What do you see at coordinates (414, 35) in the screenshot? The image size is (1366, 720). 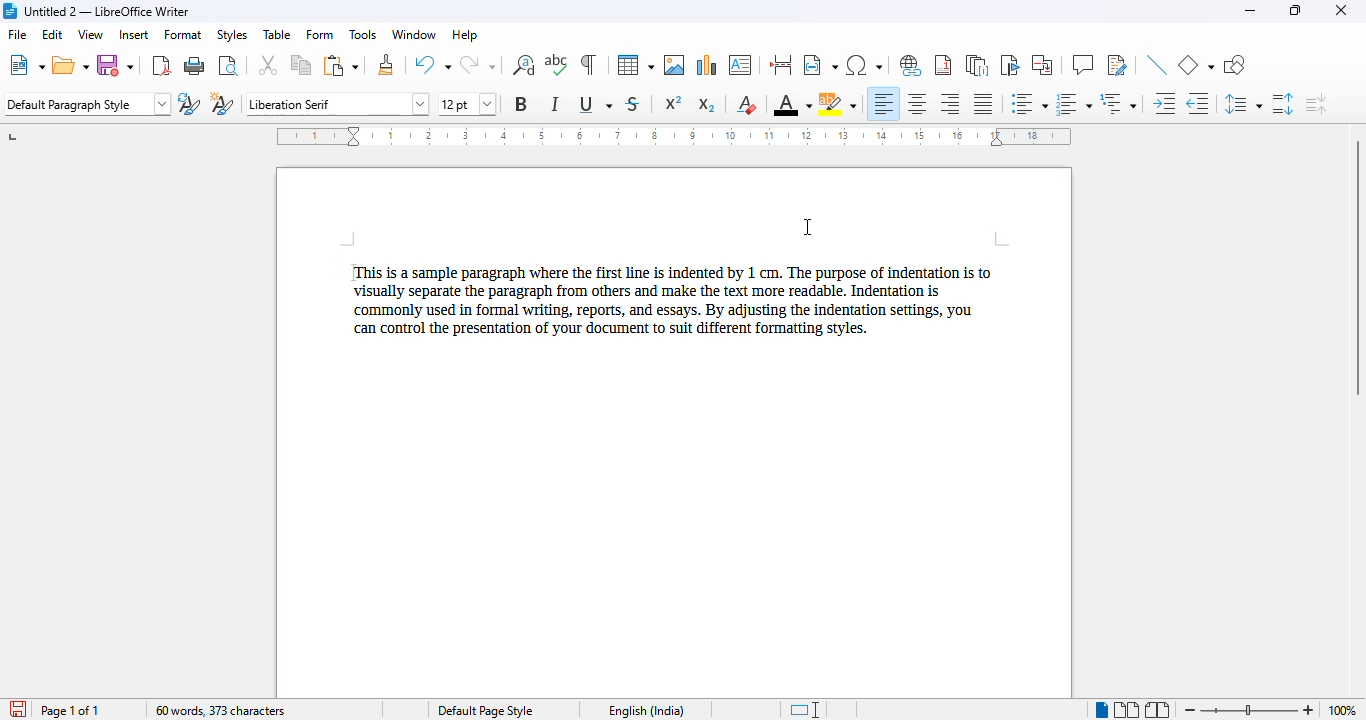 I see `window` at bounding box center [414, 35].